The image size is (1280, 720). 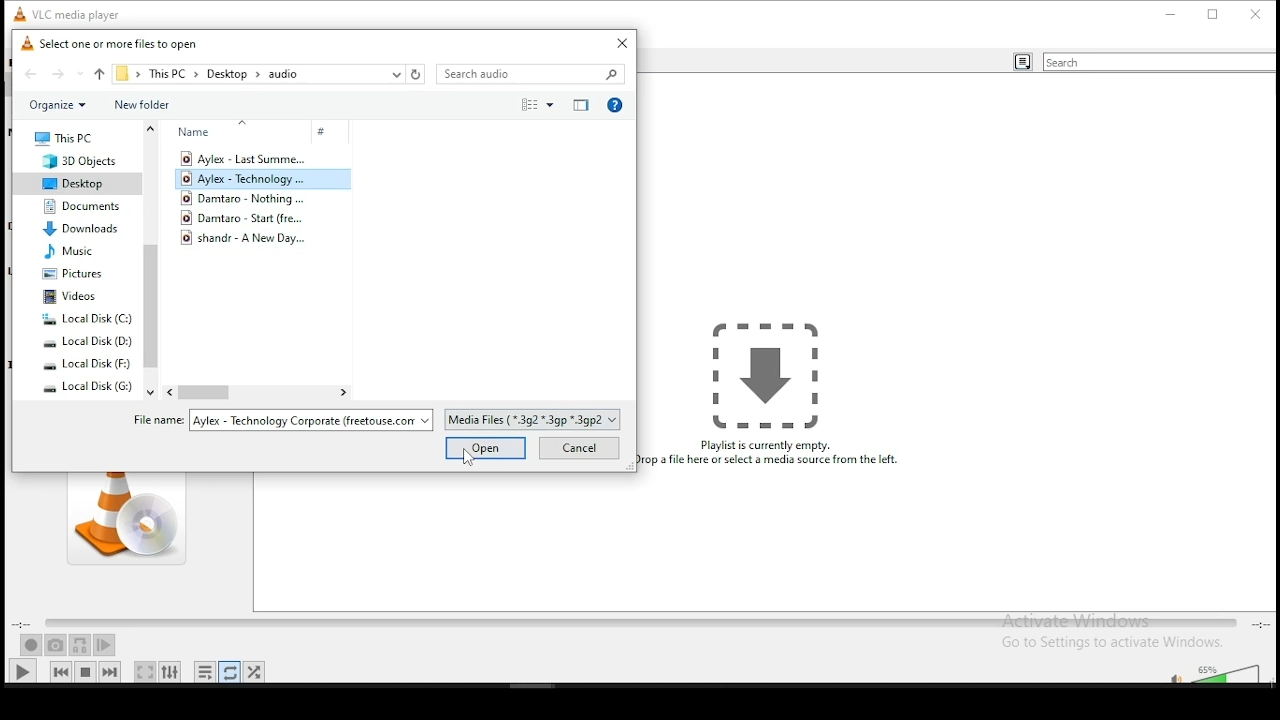 What do you see at coordinates (252, 217) in the screenshot?
I see `damtaro - start (fre` at bounding box center [252, 217].